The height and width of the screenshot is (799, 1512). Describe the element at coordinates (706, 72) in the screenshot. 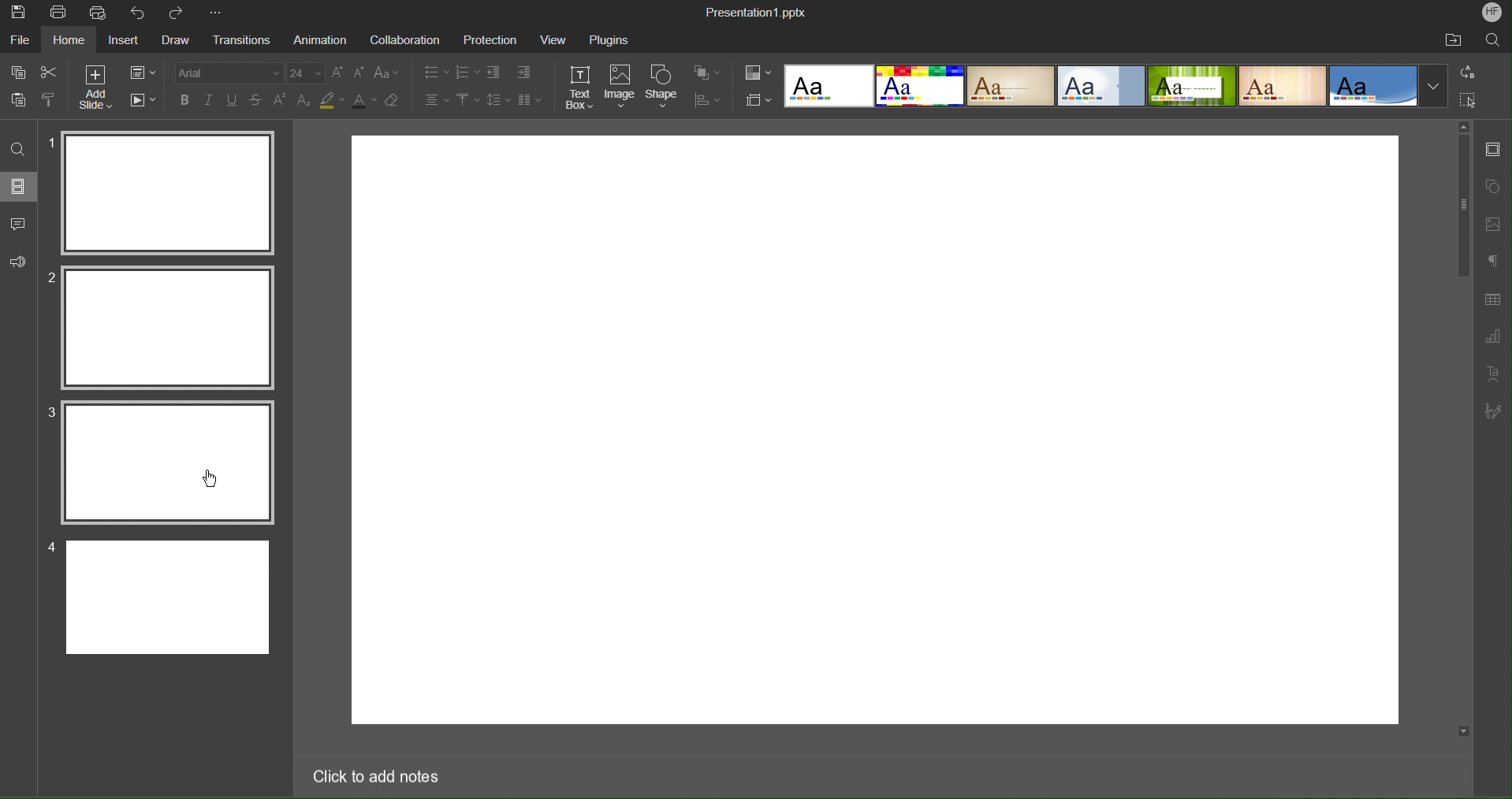

I see `Arrange` at that location.